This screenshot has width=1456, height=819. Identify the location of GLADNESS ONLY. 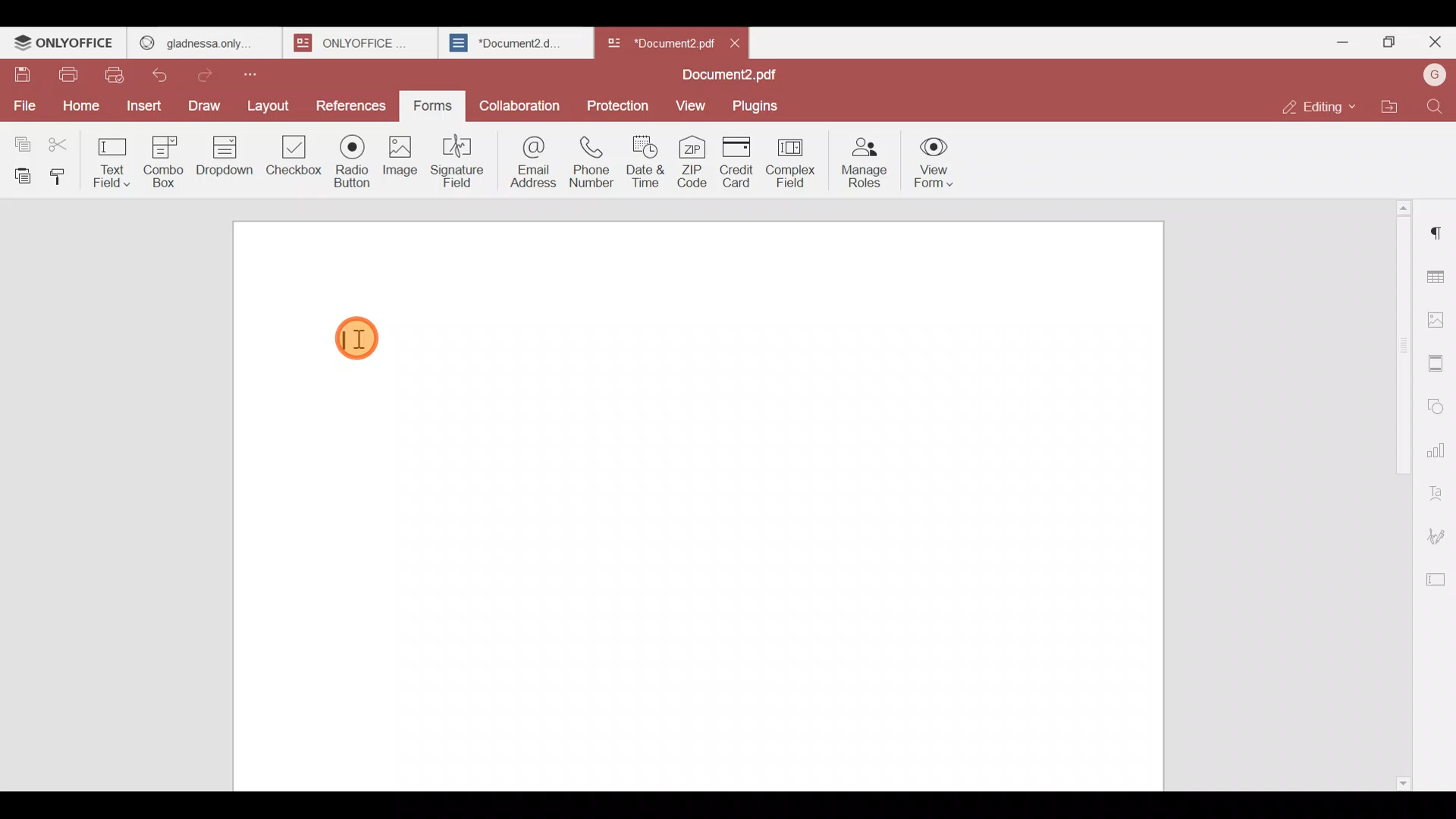
(199, 39).